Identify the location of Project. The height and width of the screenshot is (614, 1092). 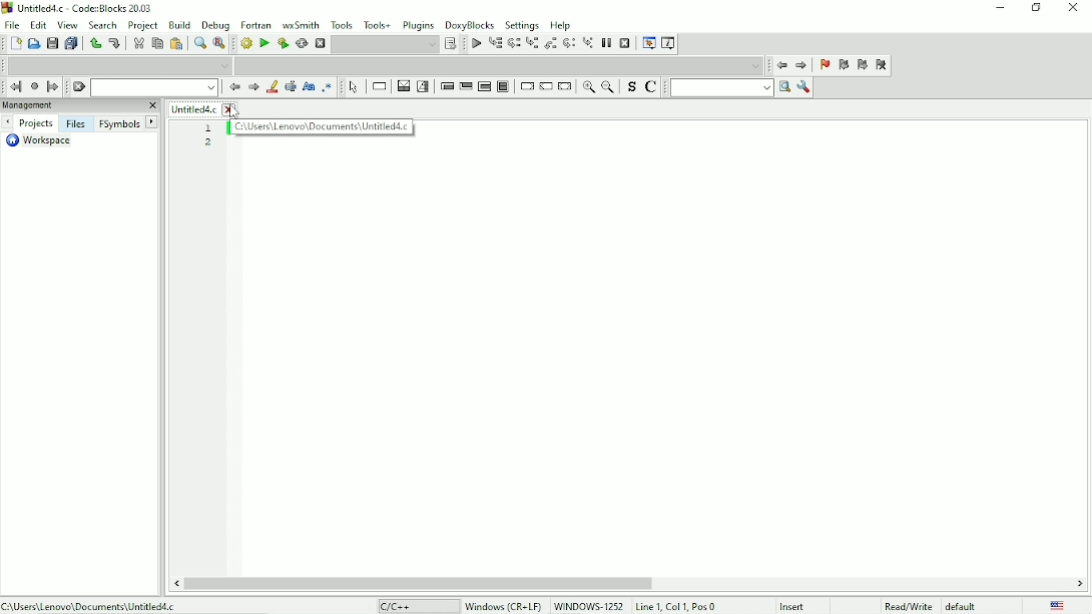
(143, 26).